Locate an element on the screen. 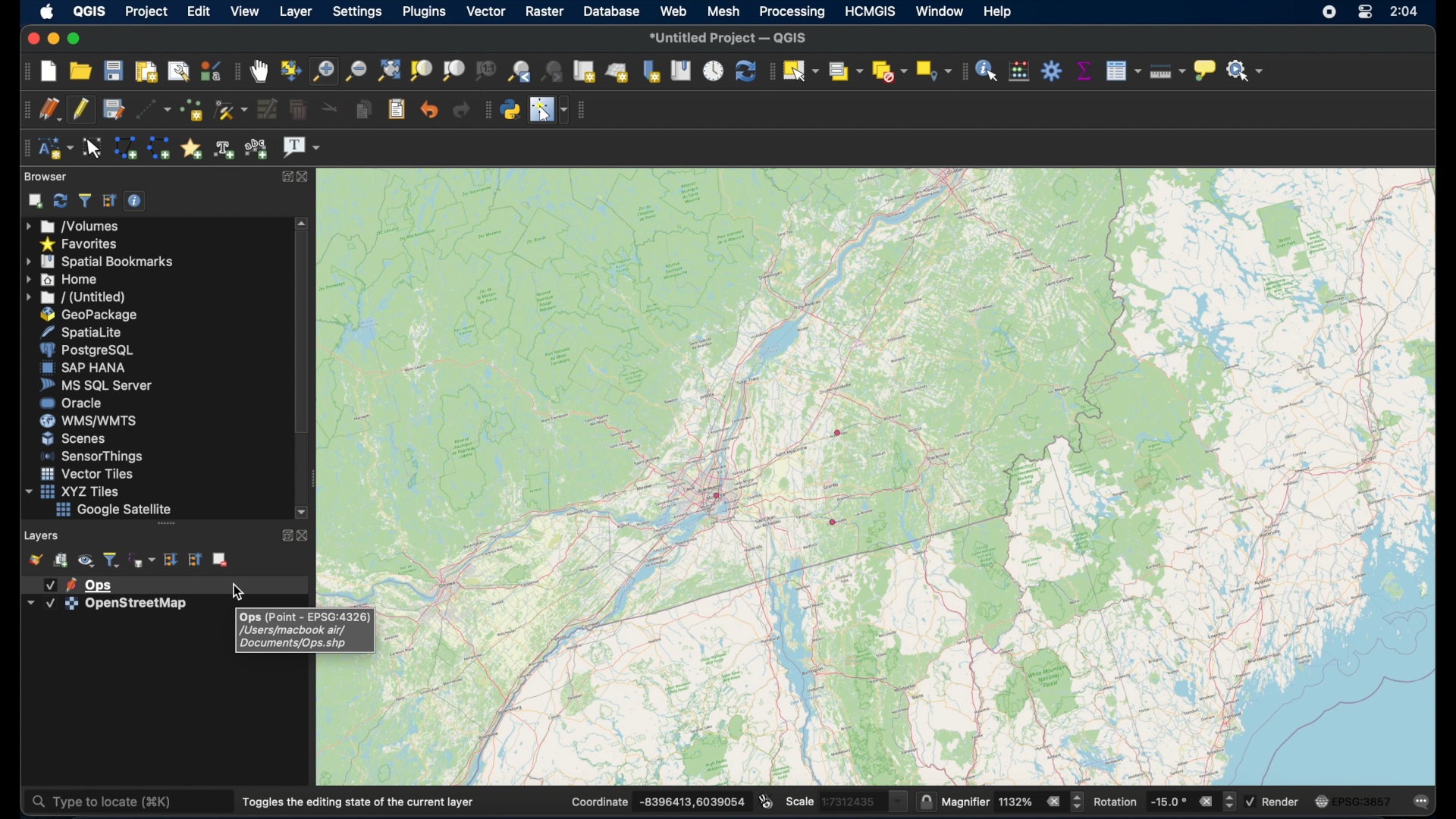 This screenshot has height=819, width=1456. zoom to layer is located at coordinates (452, 71).